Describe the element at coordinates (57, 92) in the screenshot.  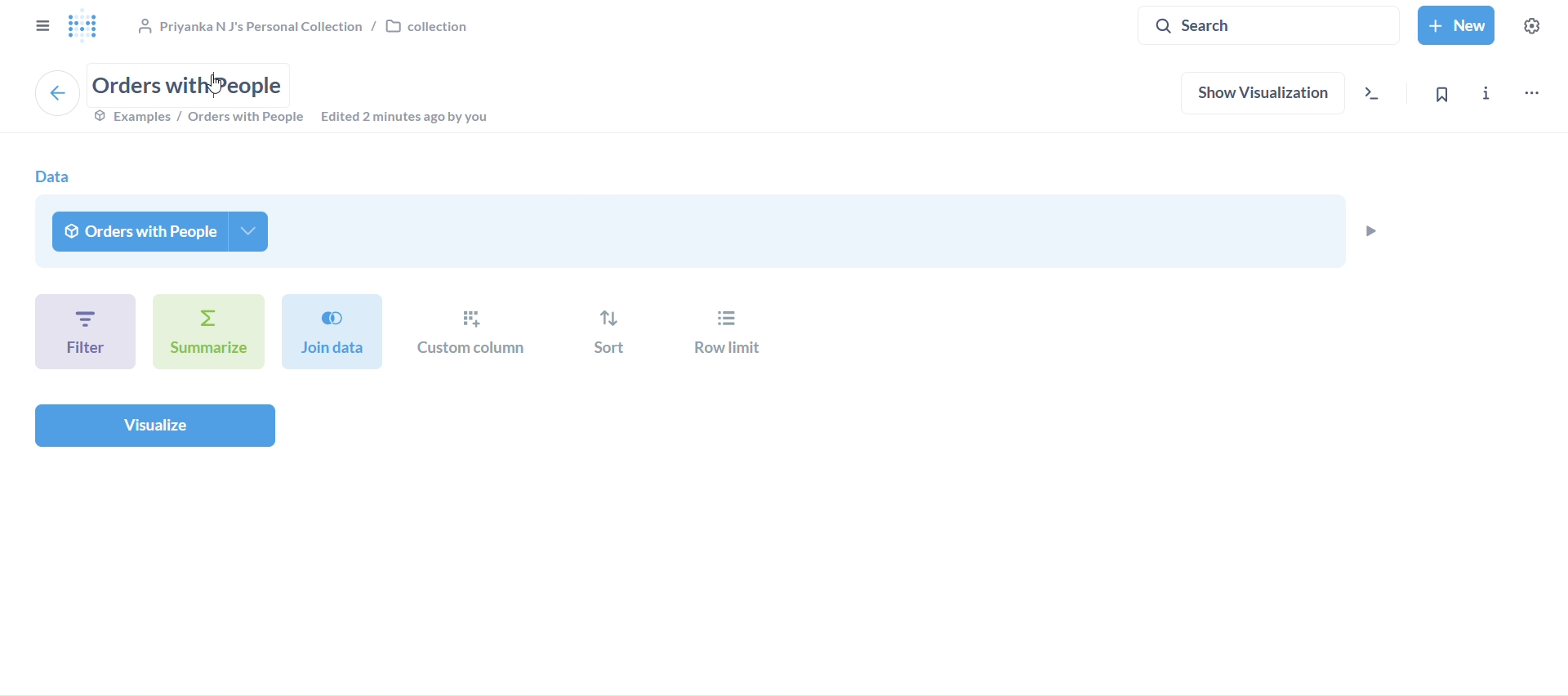
I see `back` at that location.